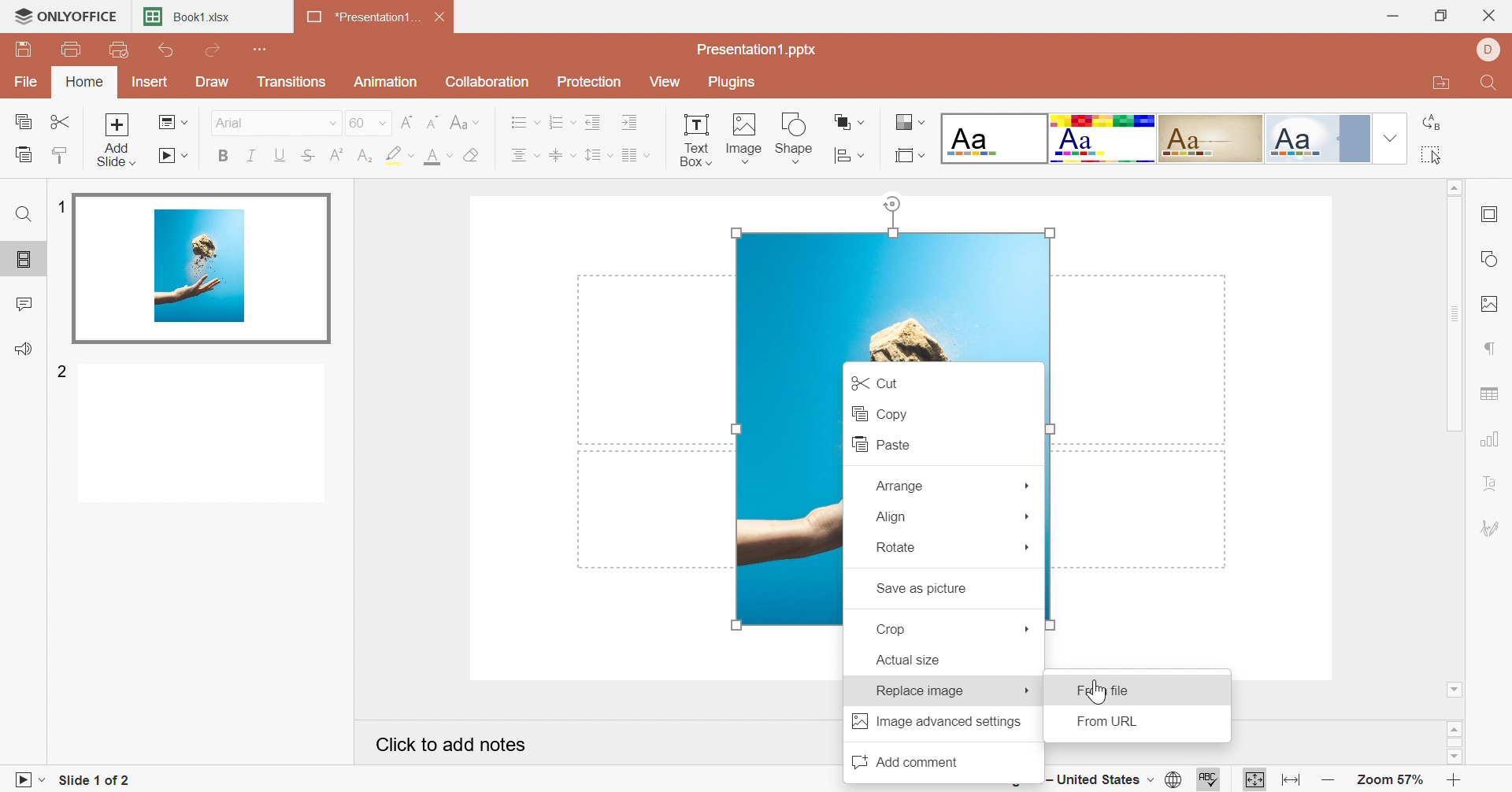 The image size is (1512, 792). Describe the element at coordinates (797, 139) in the screenshot. I see `Shape` at that location.